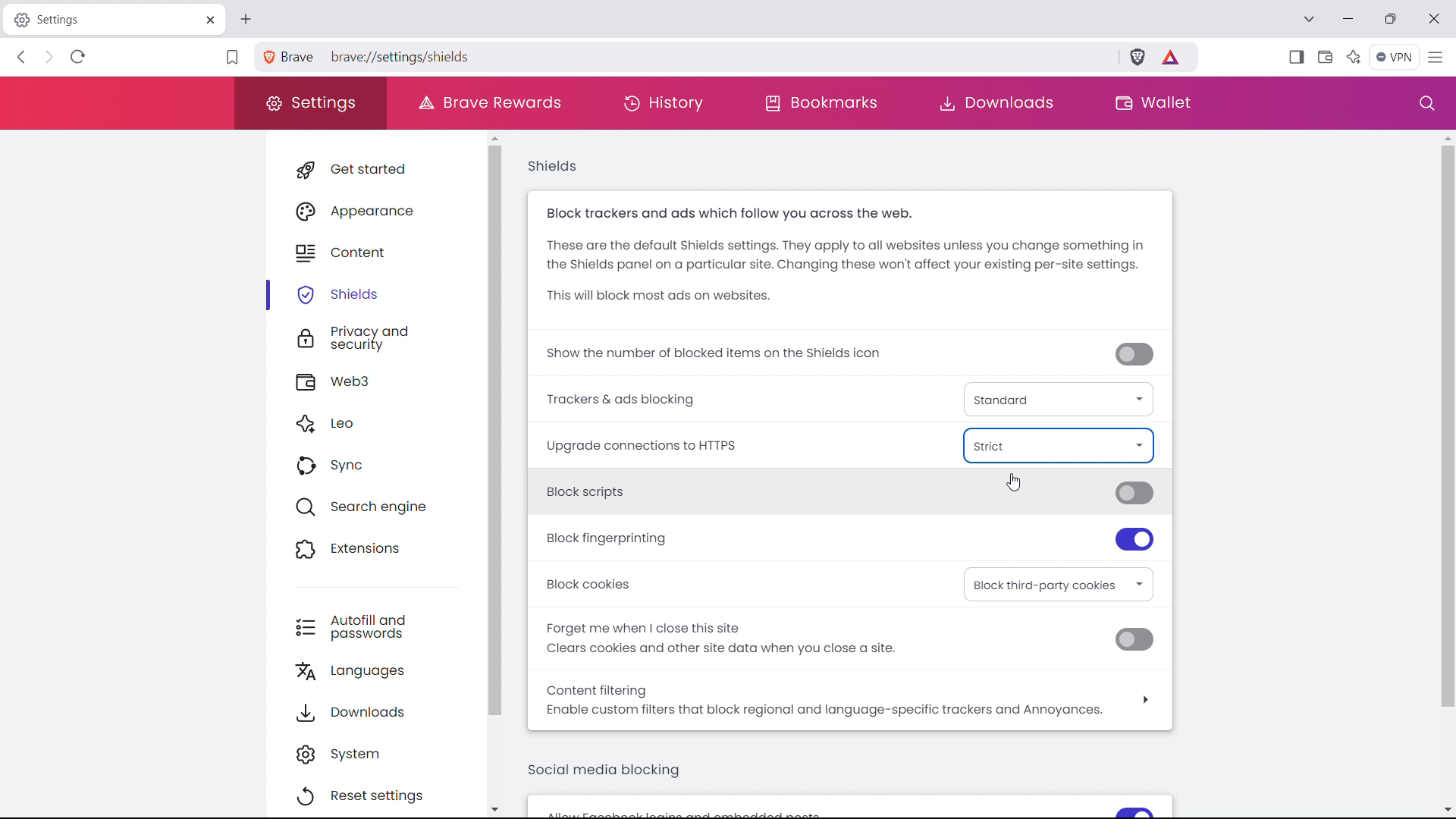 The height and width of the screenshot is (819, 1456). What do you see at coordinates (496, 137) in the screenshot?
I see `scroll up` at bounding box center [496, 137].